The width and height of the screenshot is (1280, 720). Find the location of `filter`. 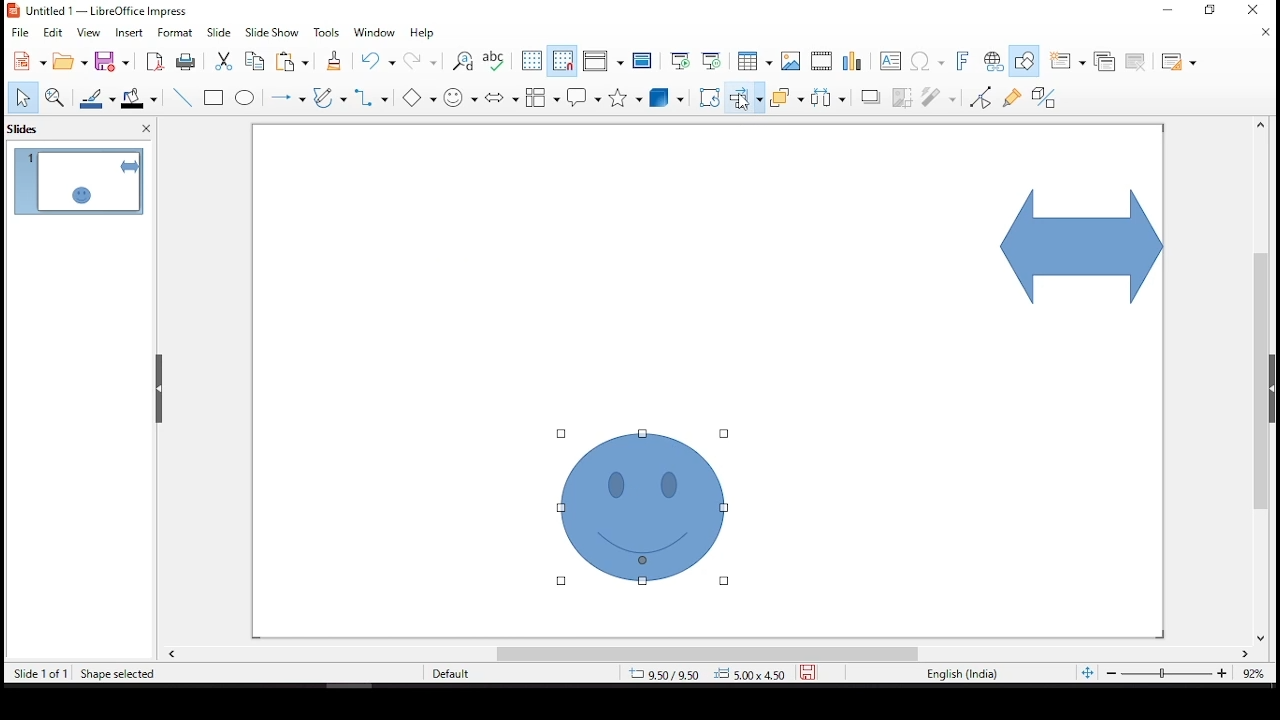

filter is located at coordinates (940, 97).